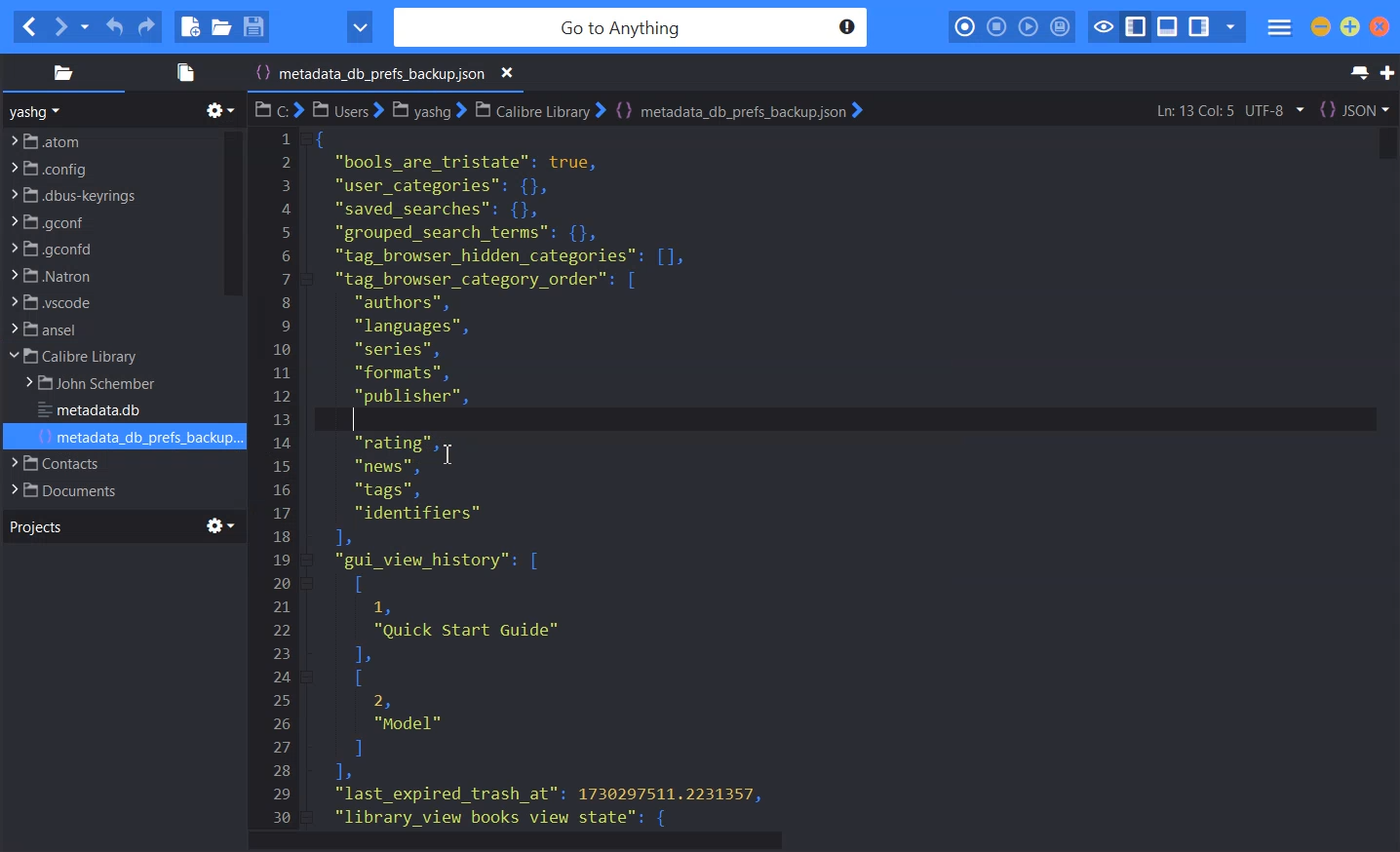  I want to click on Save macro to toolbox as Userscript, so click(1061, 26).